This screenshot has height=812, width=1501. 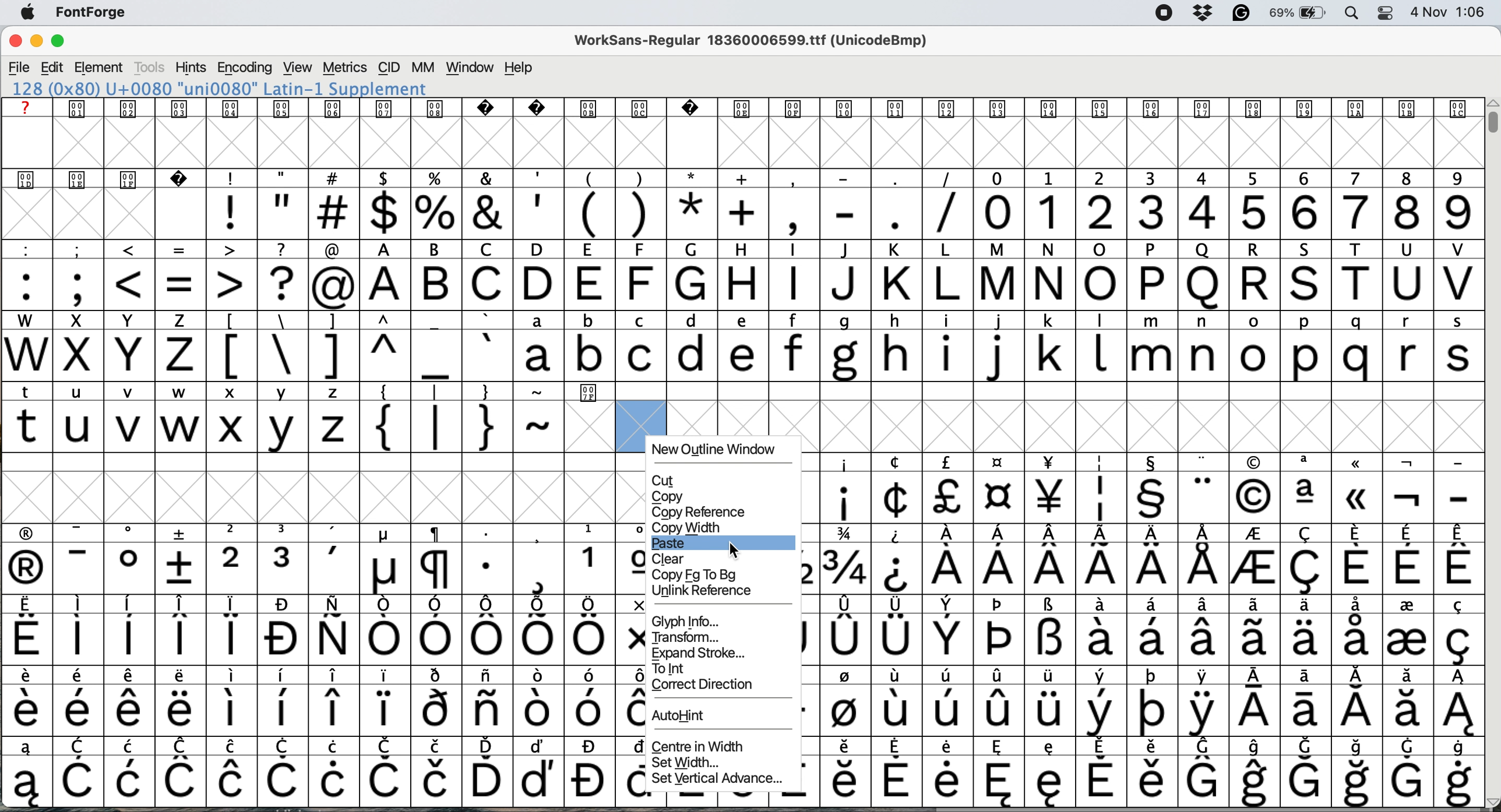 I want to click on lower case letters a to s, so click(x=993, y=355).